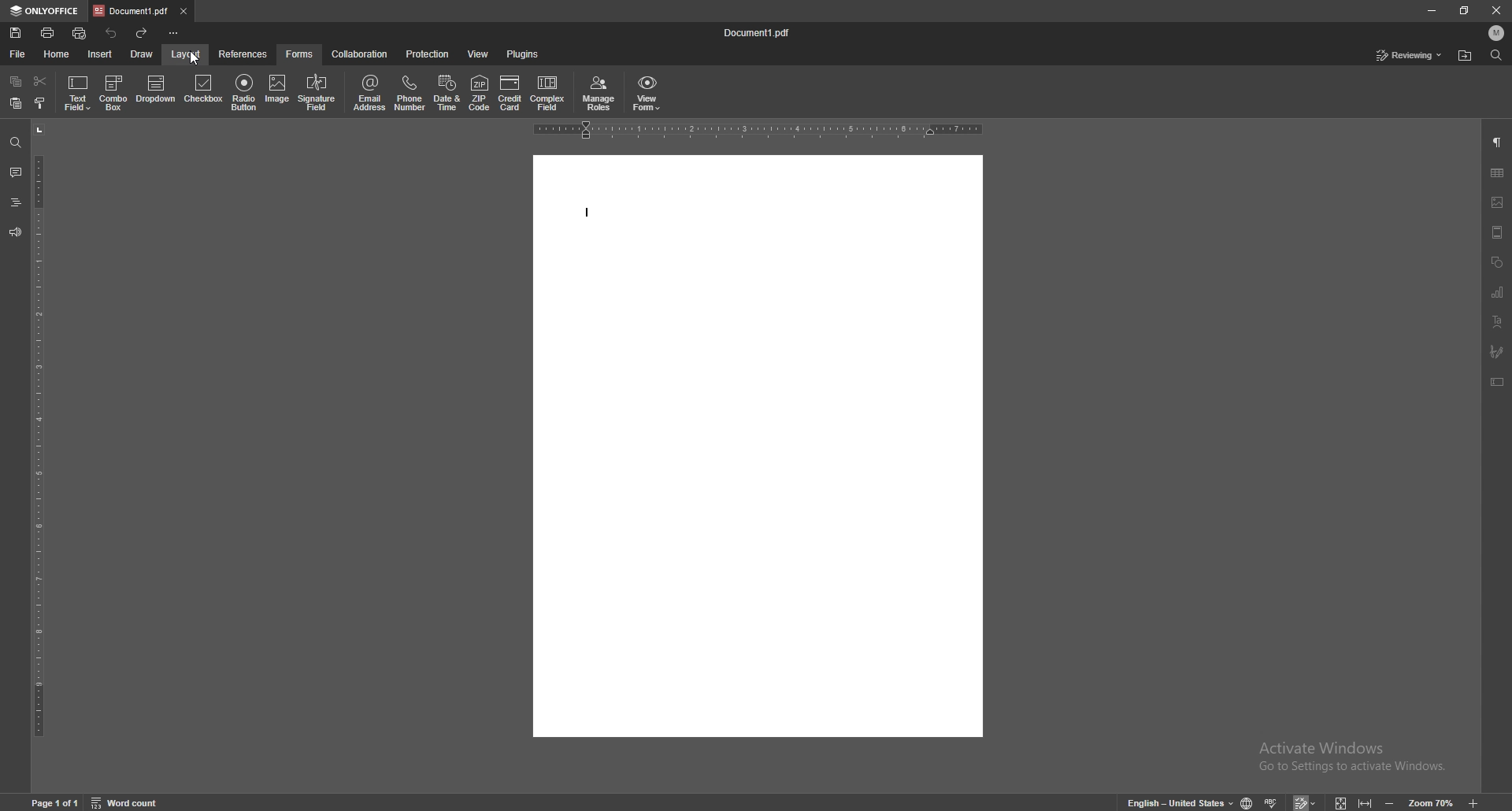 The width and height of the screenshot is (1512, 811). What do you see at coordinates (1247, 802) in the screenshot?
I see `change doc language` at bounding box center [1247, 802].